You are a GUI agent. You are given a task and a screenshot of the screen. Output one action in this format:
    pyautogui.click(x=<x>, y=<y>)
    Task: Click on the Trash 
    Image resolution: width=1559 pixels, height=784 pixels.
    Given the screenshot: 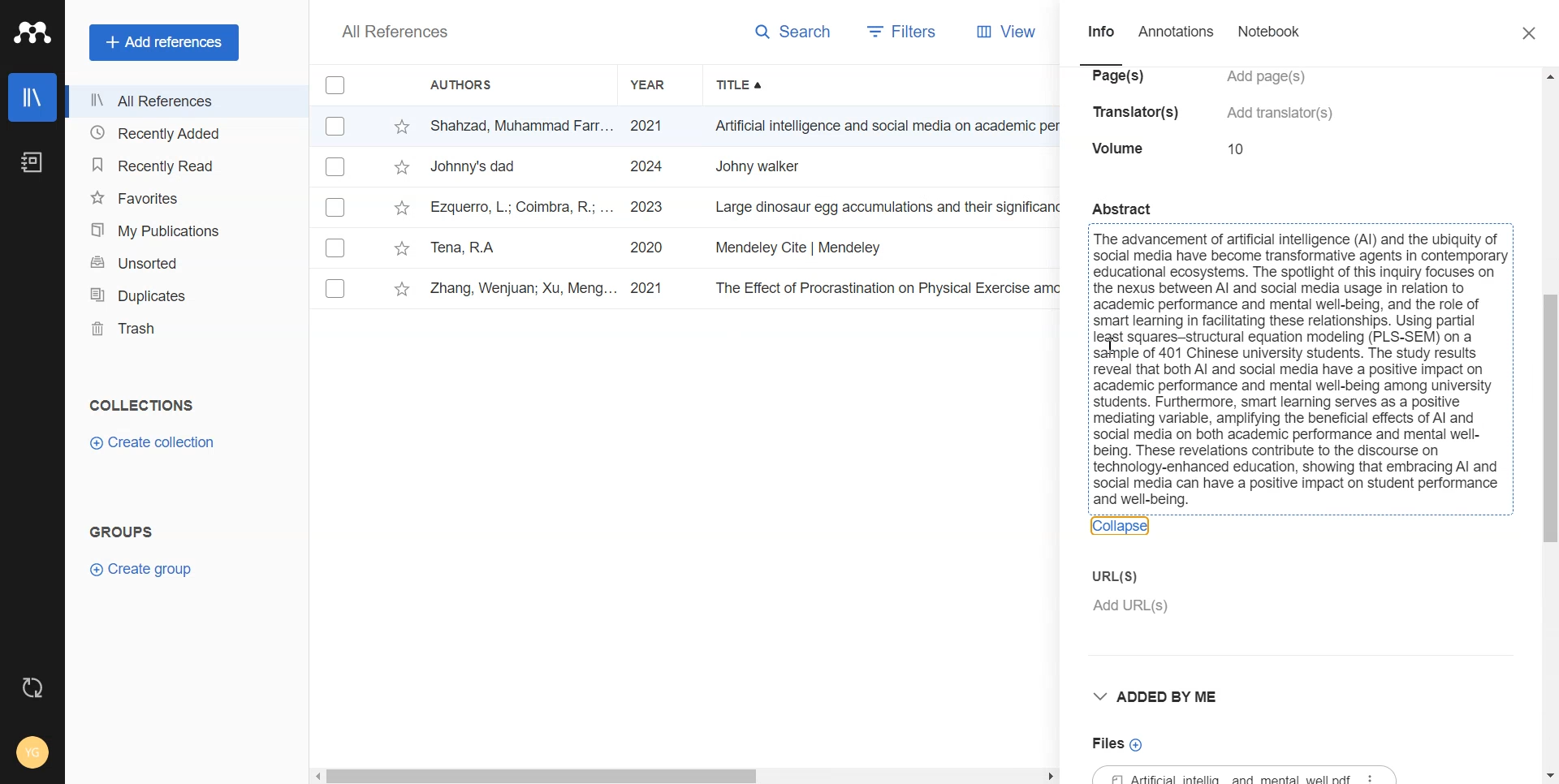 What is the action you would take?
    pyautogui.click(x=175, y=327)
    